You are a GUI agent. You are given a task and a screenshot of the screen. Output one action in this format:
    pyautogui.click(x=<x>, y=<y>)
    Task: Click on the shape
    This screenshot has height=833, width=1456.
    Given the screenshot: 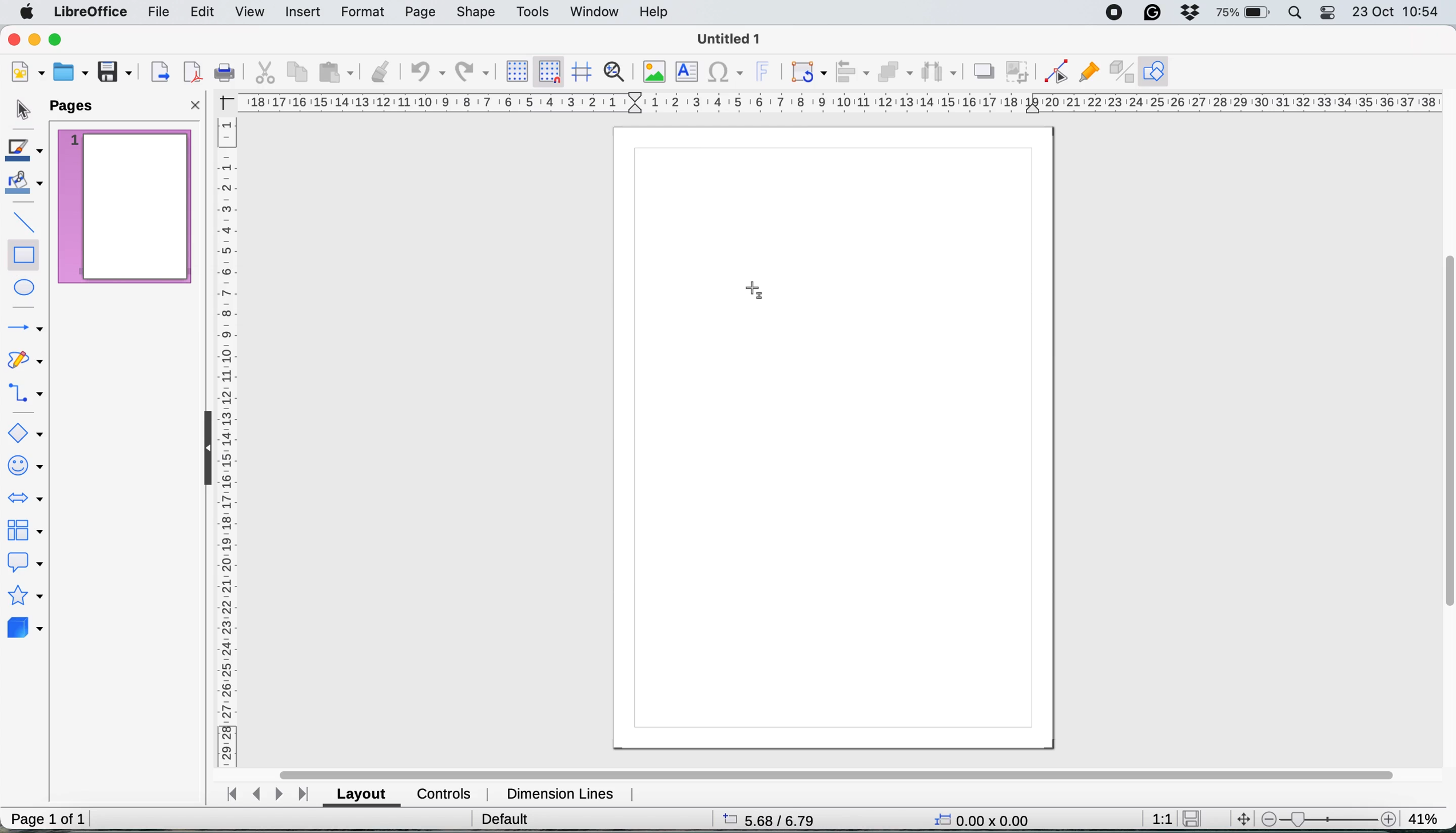 What is the action you would take?
    pyautogui.click(x=477, y=13)
    